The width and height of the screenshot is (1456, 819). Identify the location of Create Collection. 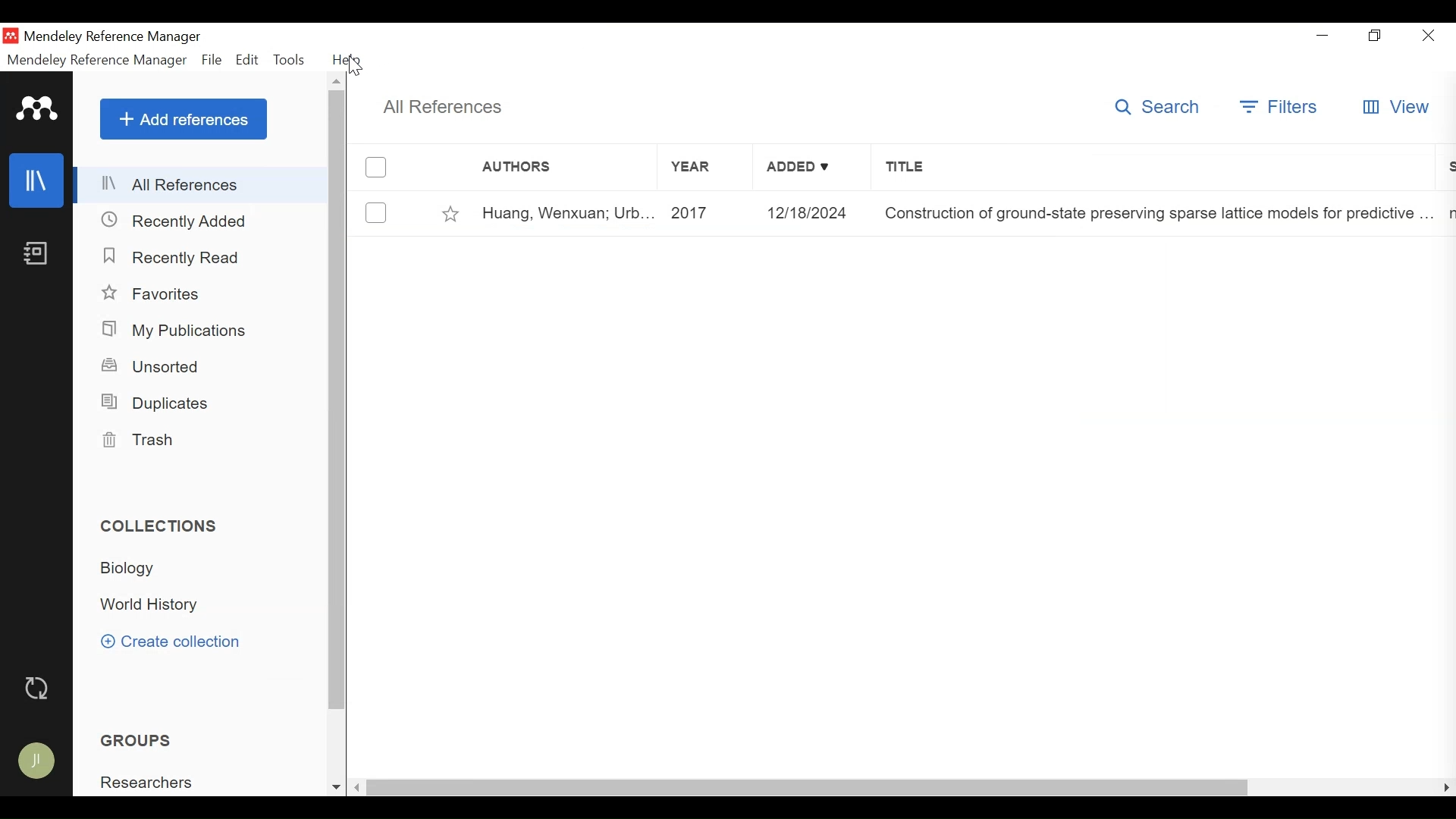
(175, 642).